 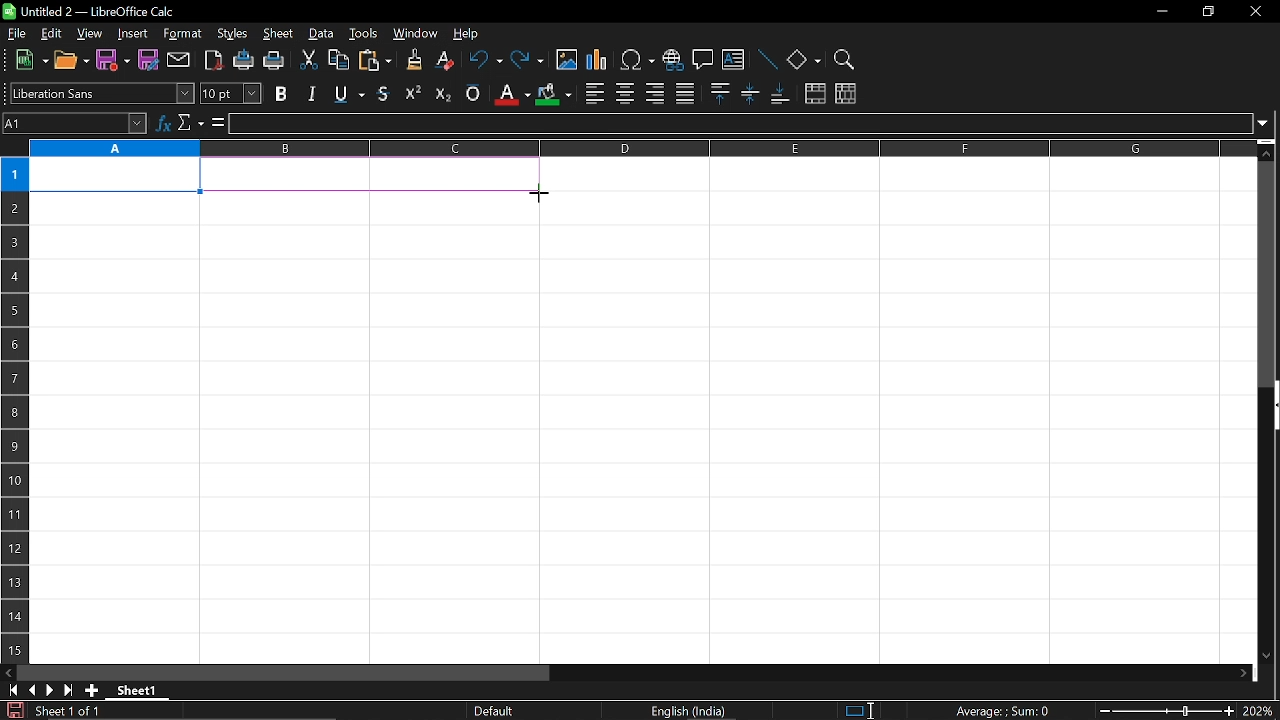 I want to click on print, so click(x=275, y=61).